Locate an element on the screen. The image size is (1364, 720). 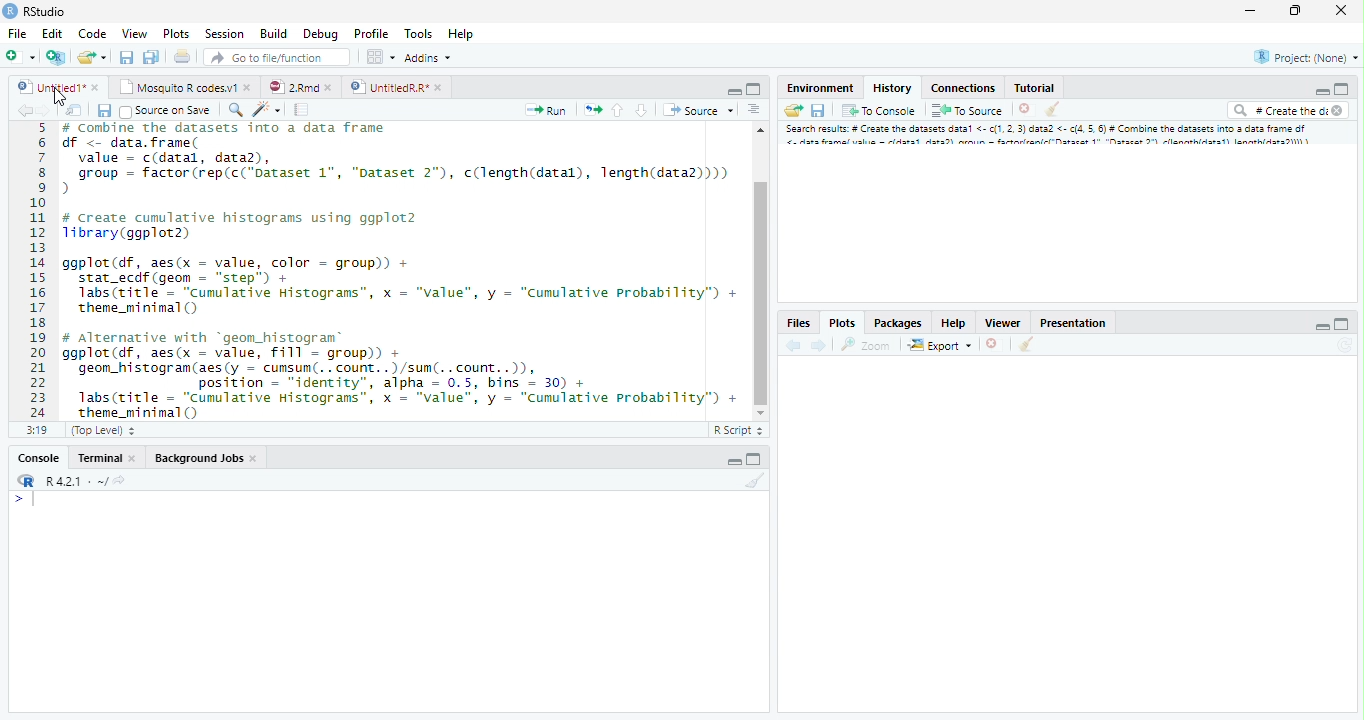
Background Jobs is located at coordinates (207, 458).